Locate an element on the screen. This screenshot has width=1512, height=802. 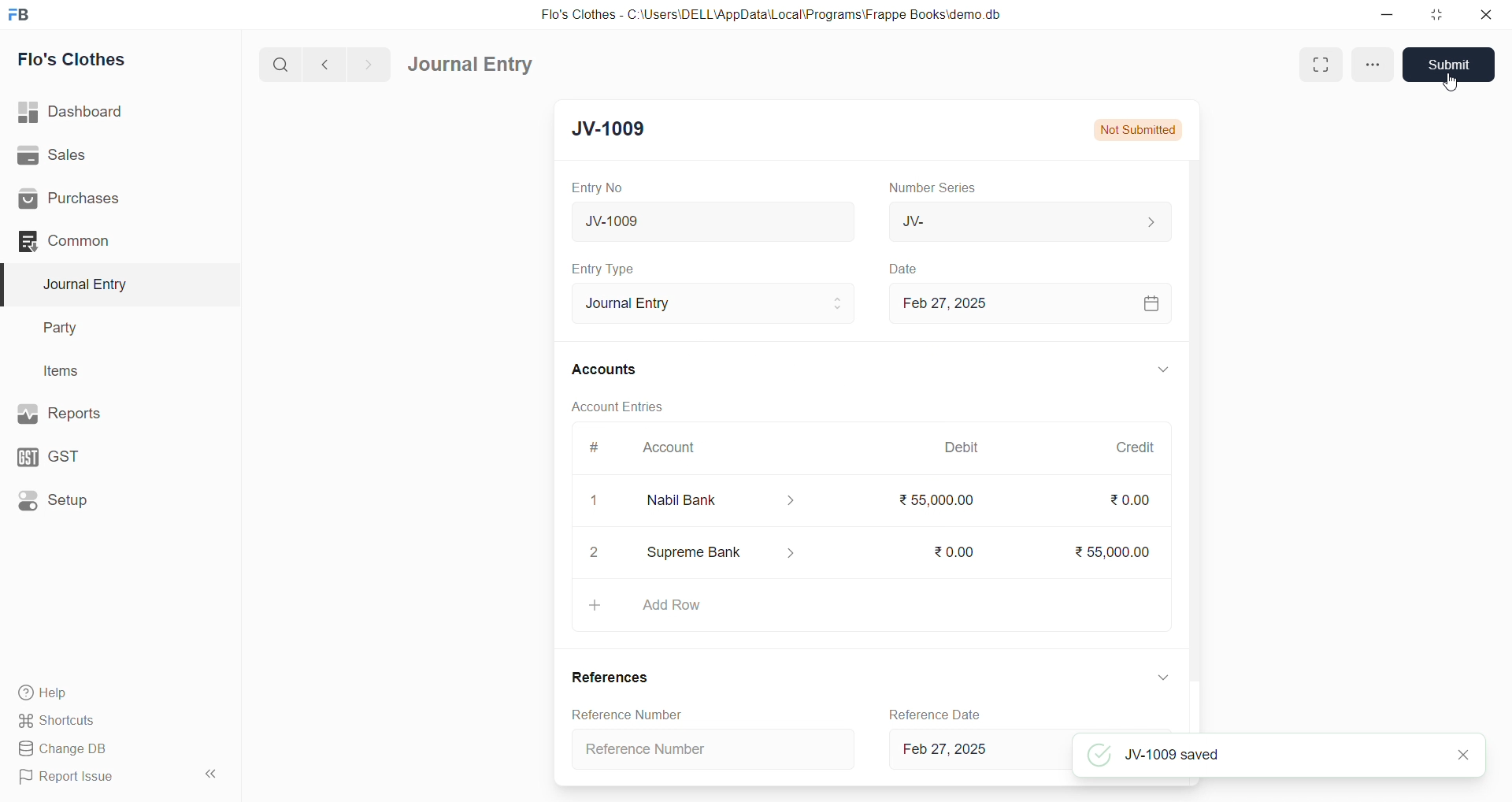
Date is located at coordinates (908, 269).